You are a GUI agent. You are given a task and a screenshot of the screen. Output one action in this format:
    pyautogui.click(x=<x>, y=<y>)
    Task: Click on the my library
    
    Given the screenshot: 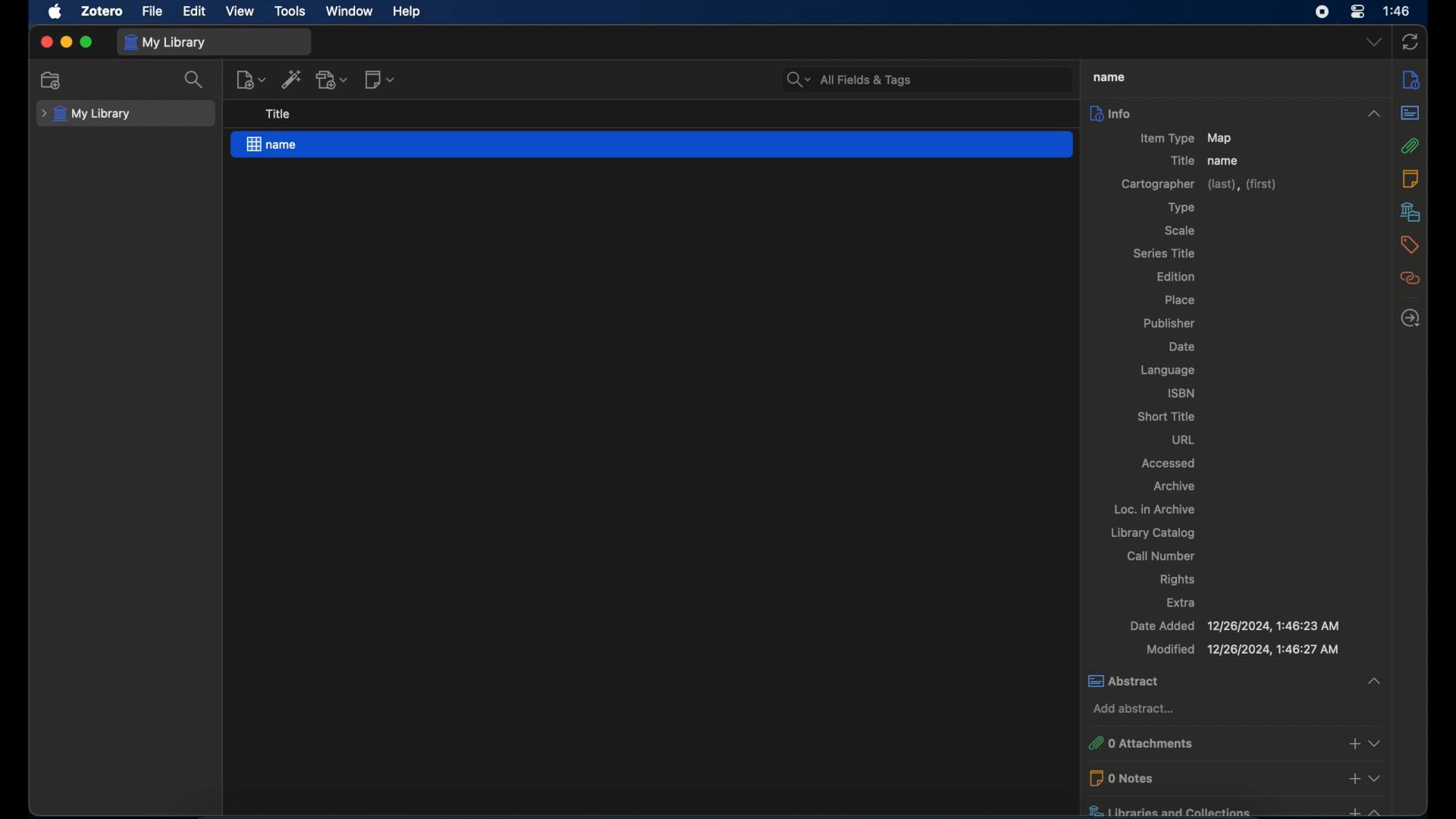 What is the action you would take?
    pyautogui.click(x=165, y=42)
    